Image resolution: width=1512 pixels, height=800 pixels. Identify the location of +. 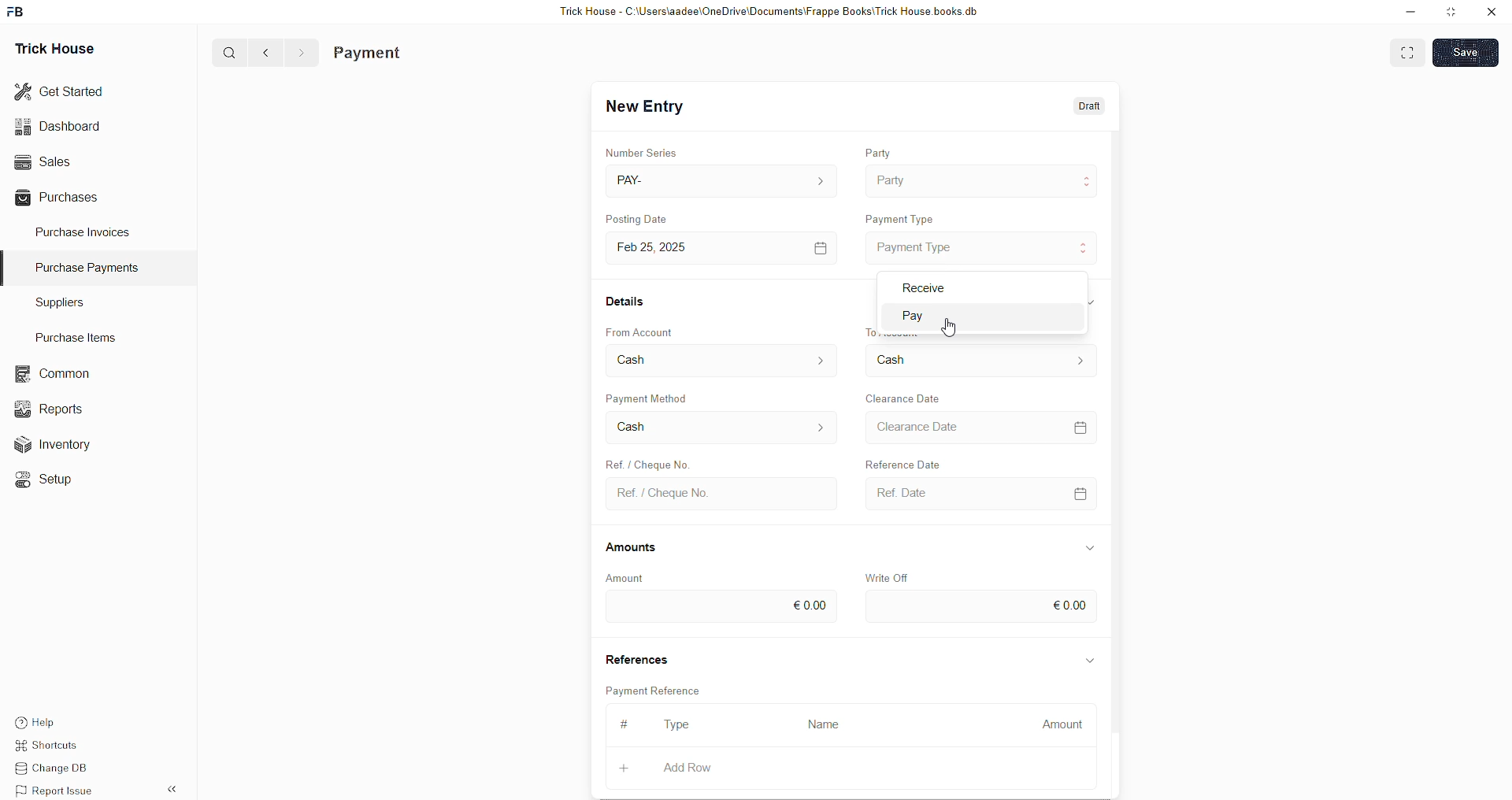
(626, 765).